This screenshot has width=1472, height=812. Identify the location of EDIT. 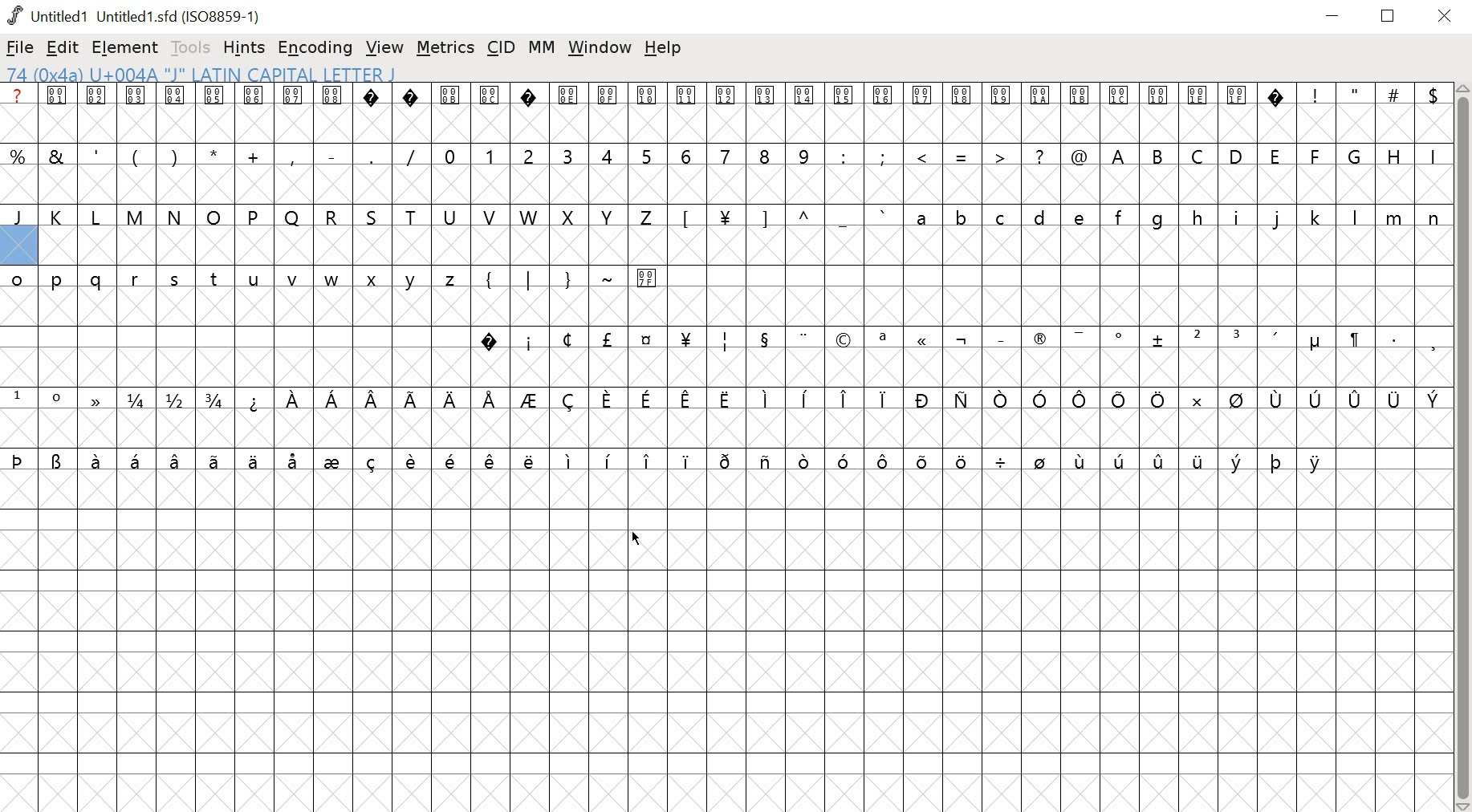
(63, 49).